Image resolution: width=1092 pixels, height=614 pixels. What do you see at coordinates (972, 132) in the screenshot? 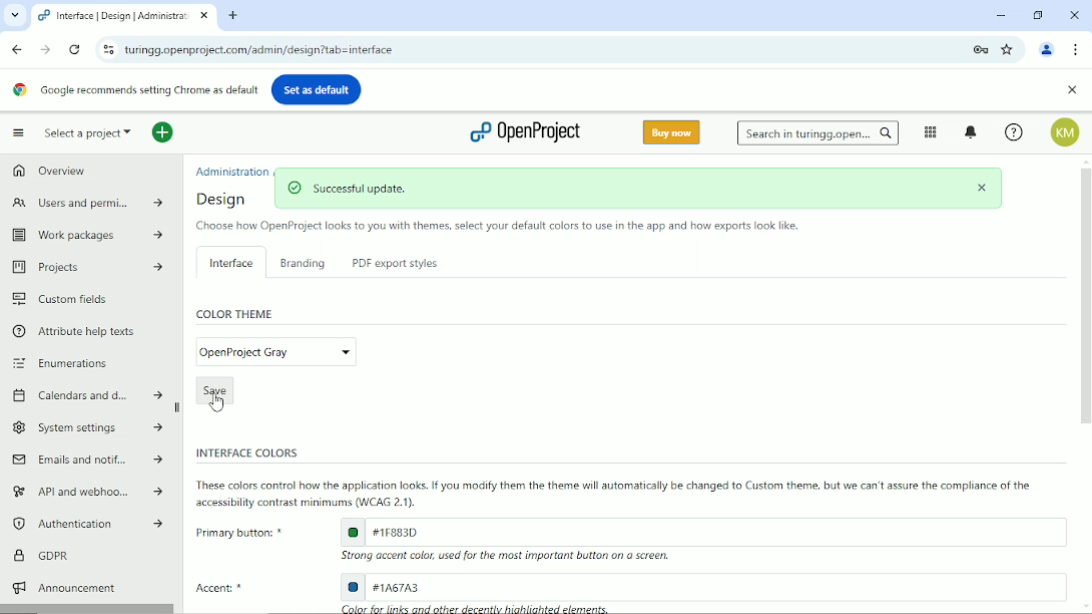
I see `To notification center` at bounding box center [972, 132].